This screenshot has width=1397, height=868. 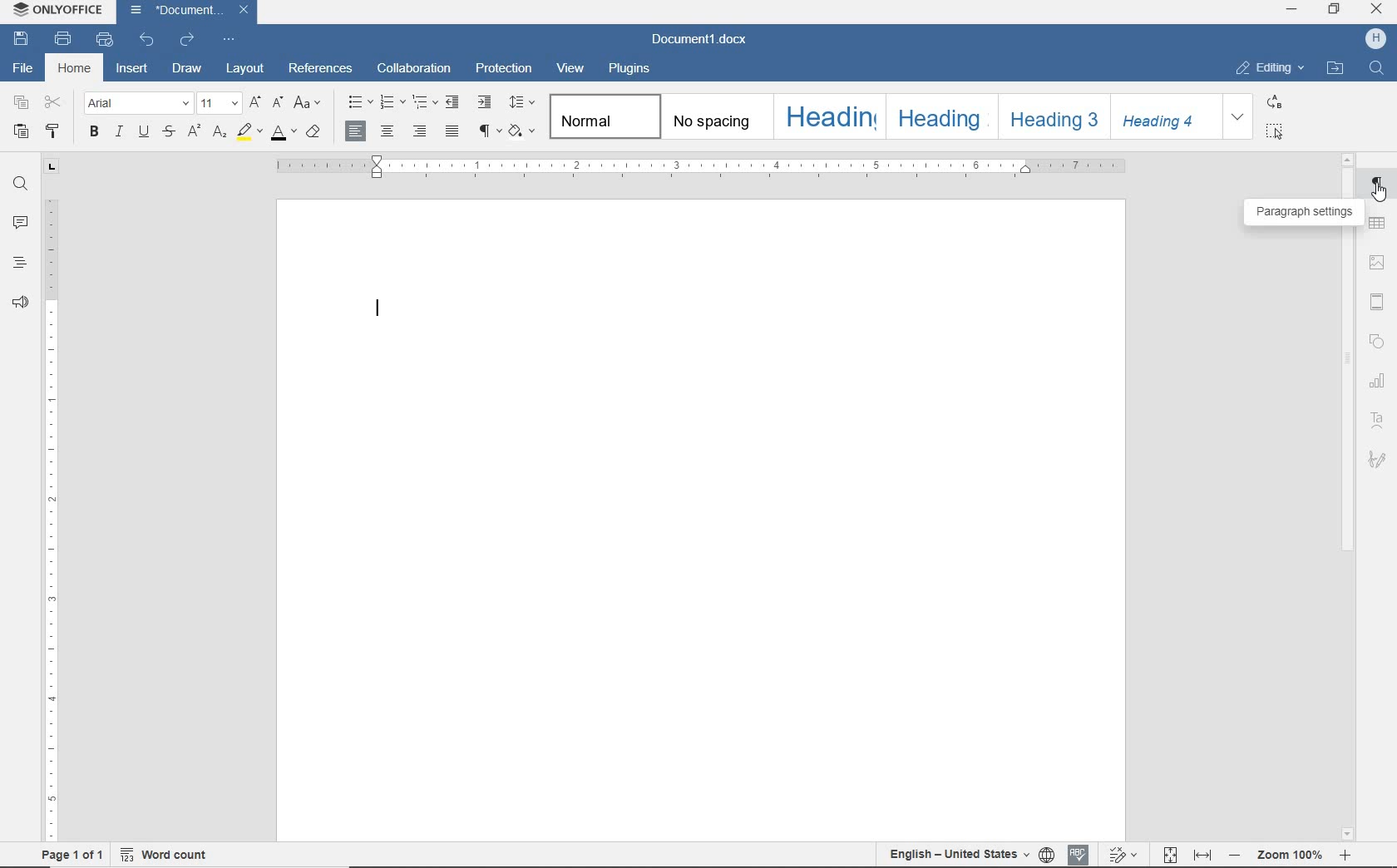 I want to click on fit to width, so click(x=1201, y=855).